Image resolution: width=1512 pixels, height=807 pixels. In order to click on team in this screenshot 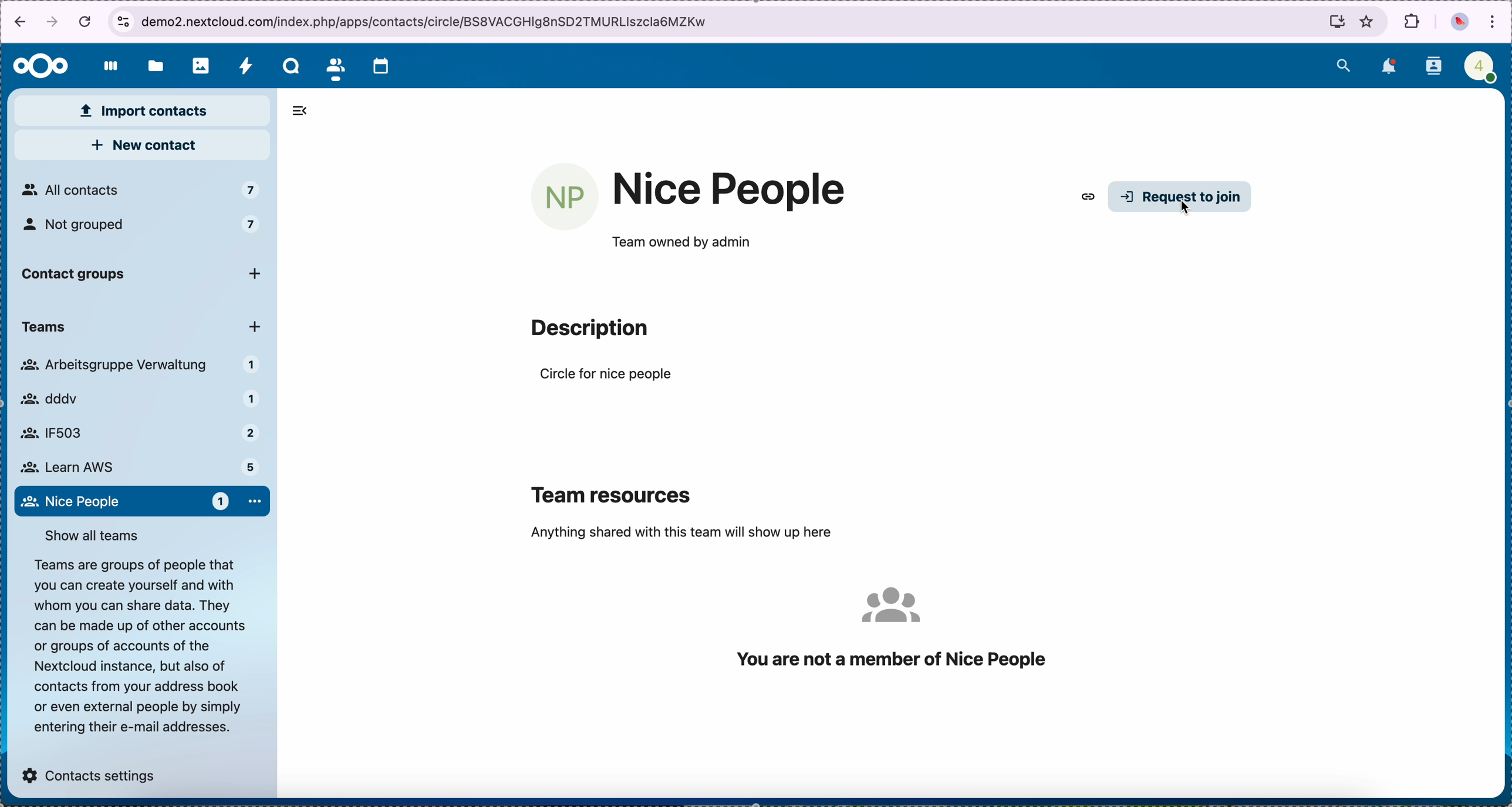, I will do `click(137, 329)`.